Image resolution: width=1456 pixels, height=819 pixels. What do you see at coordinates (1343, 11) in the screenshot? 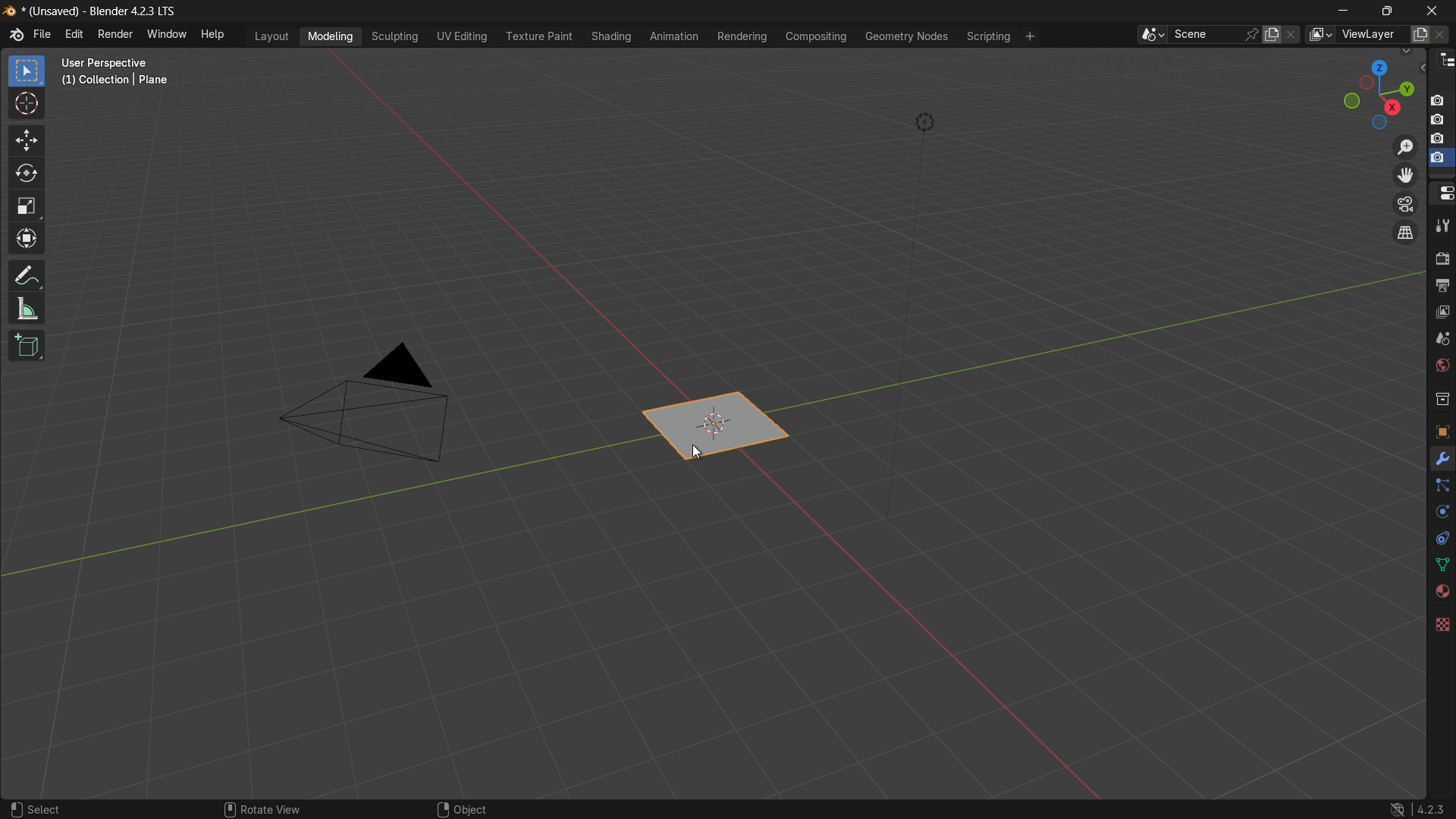
I see `minimize` at bounding box center [1343, 11].